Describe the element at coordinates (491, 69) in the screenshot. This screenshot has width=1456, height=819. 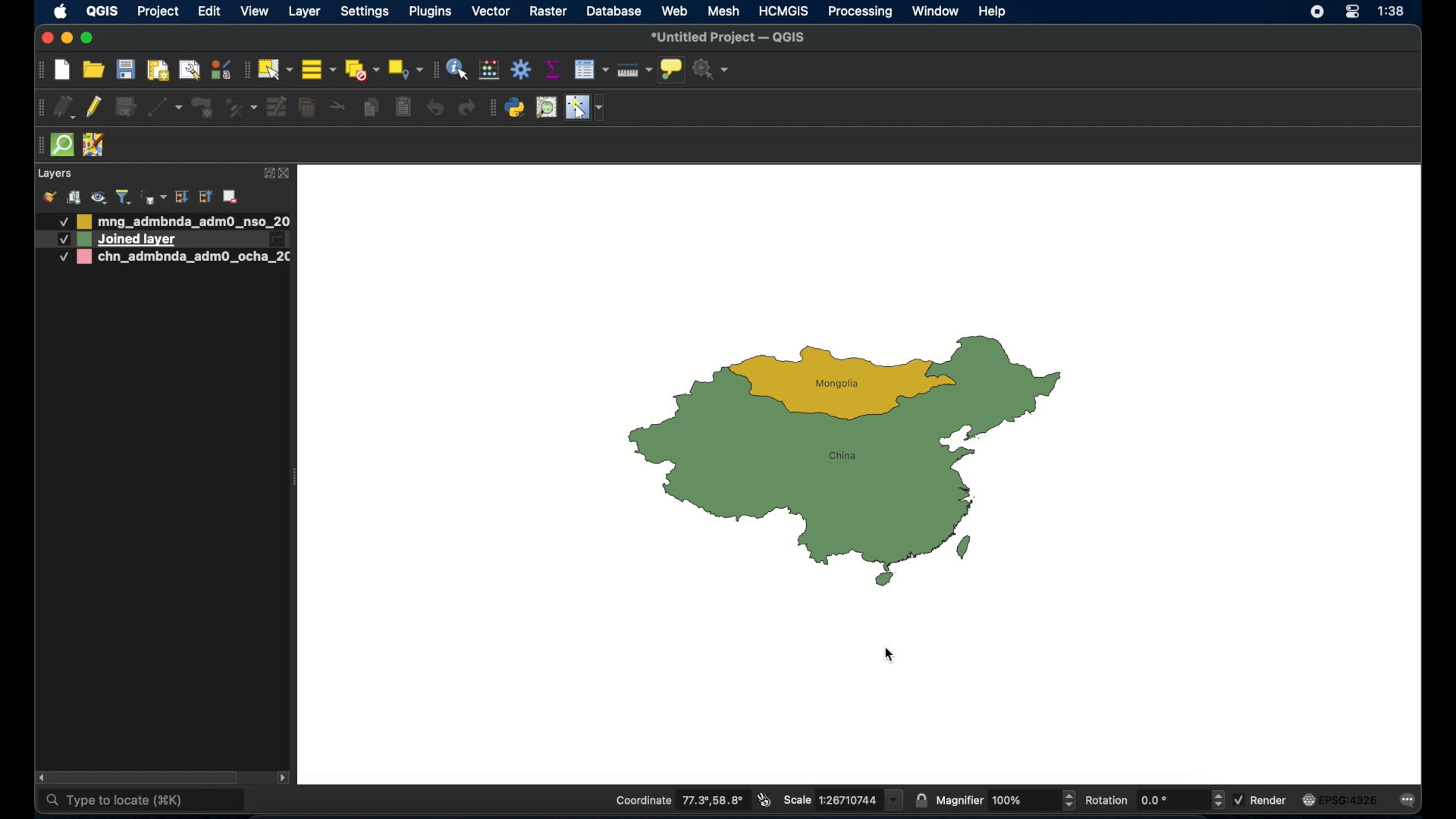
I see `open field calculator` at that location.